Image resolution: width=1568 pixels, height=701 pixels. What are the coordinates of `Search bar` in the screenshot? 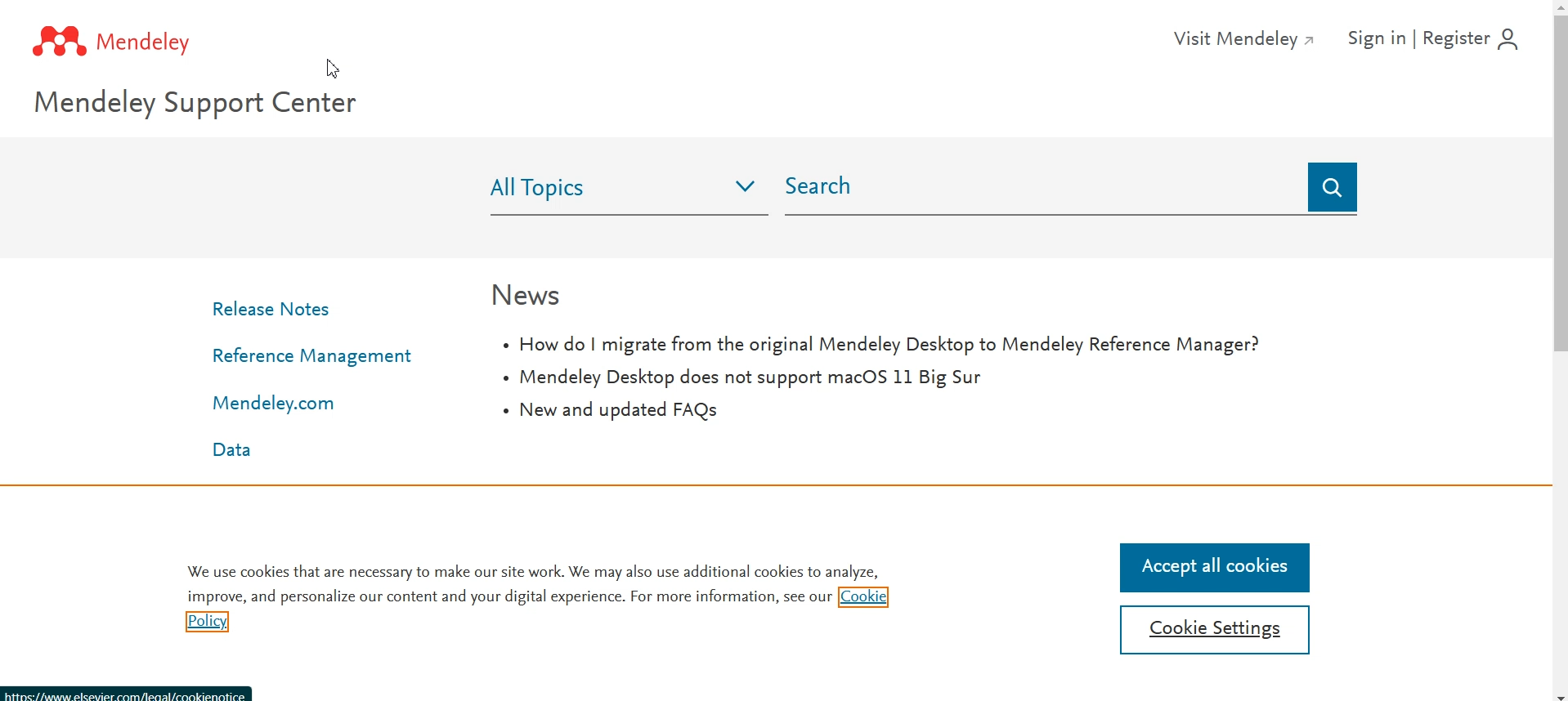 It's located at (1074, 189).